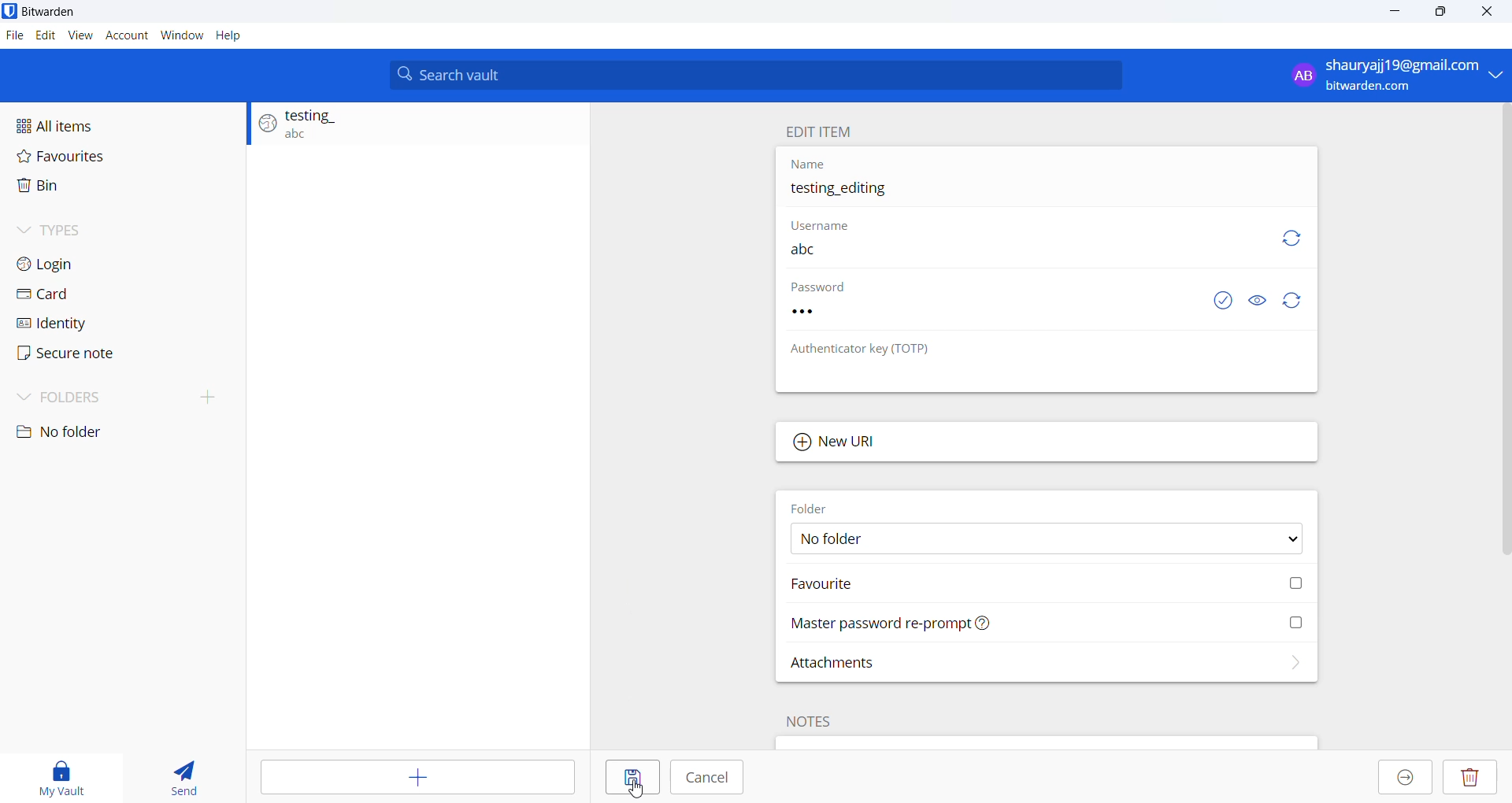 This screenshot has height=803, width=1512. I want to click on Window, so click(182, 33).